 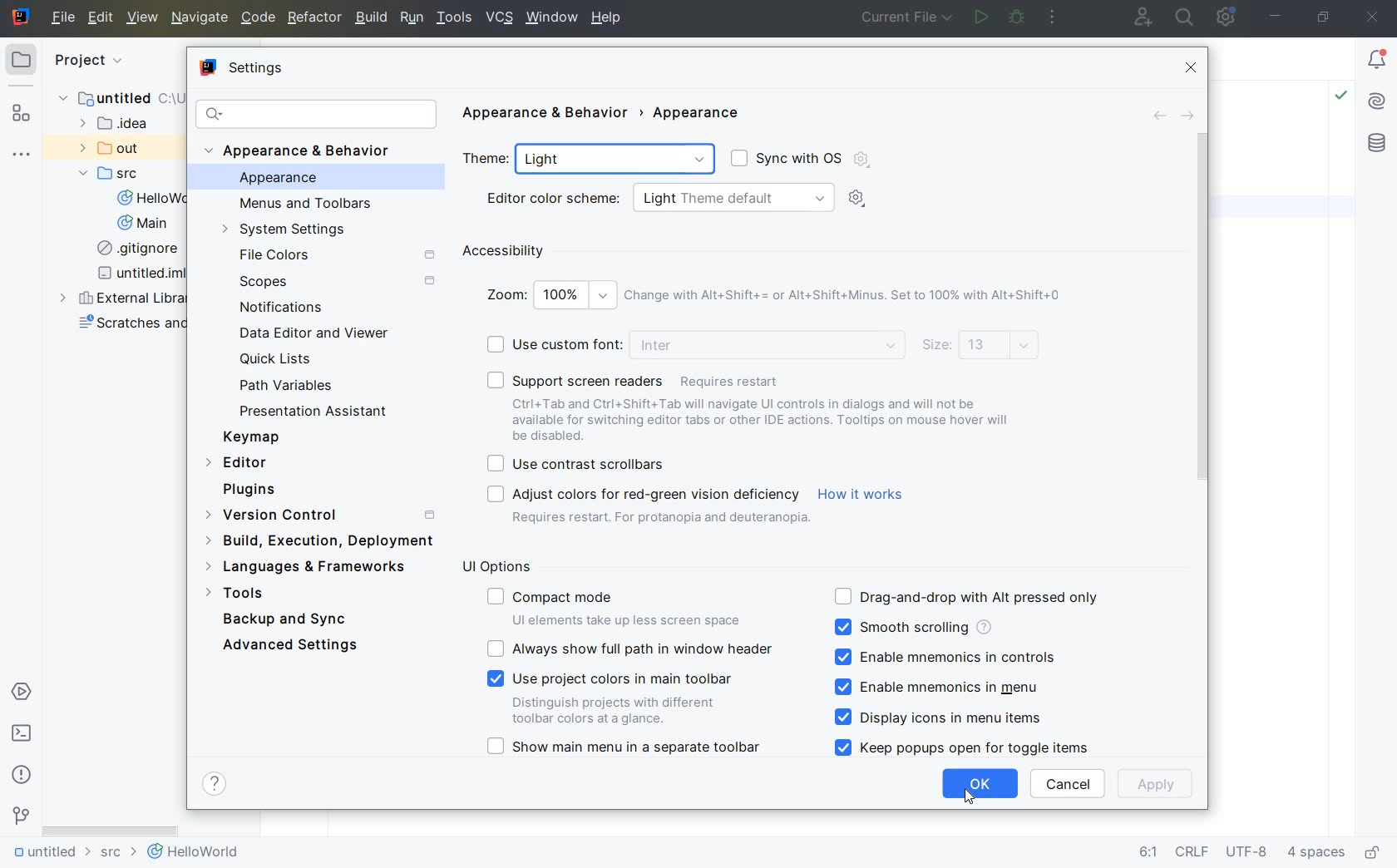 What do you see at coordinates (239, 65) in the screenshot?
I see `SETTINGS` at bounding box center [239, 65].